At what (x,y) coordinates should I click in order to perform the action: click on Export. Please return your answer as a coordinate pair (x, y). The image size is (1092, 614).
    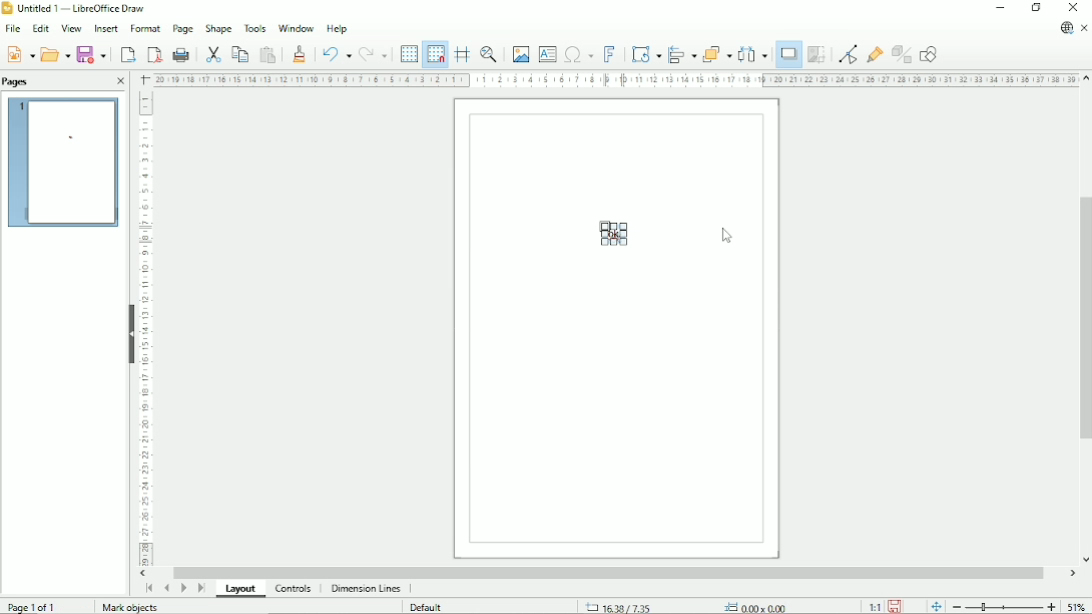
    Looking at the image, I should click on (127, 55).